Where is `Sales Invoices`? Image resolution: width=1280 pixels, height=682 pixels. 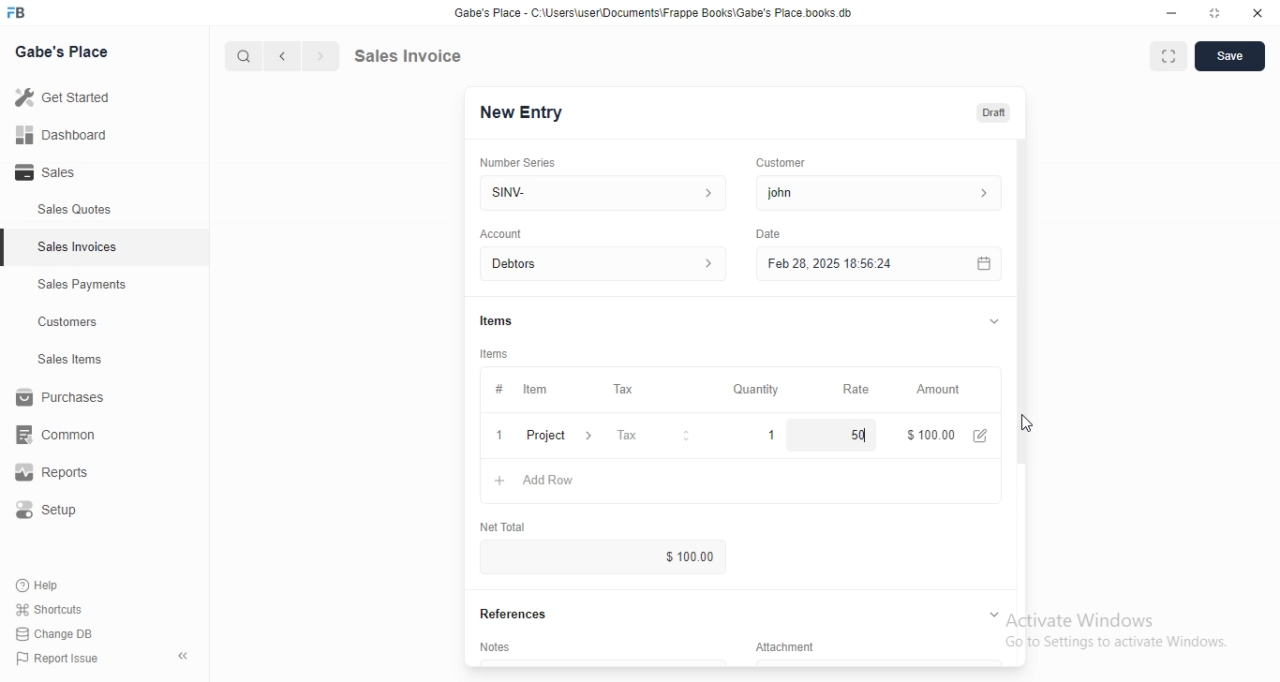 Sales Invoices is located at coordinates (79, 247).